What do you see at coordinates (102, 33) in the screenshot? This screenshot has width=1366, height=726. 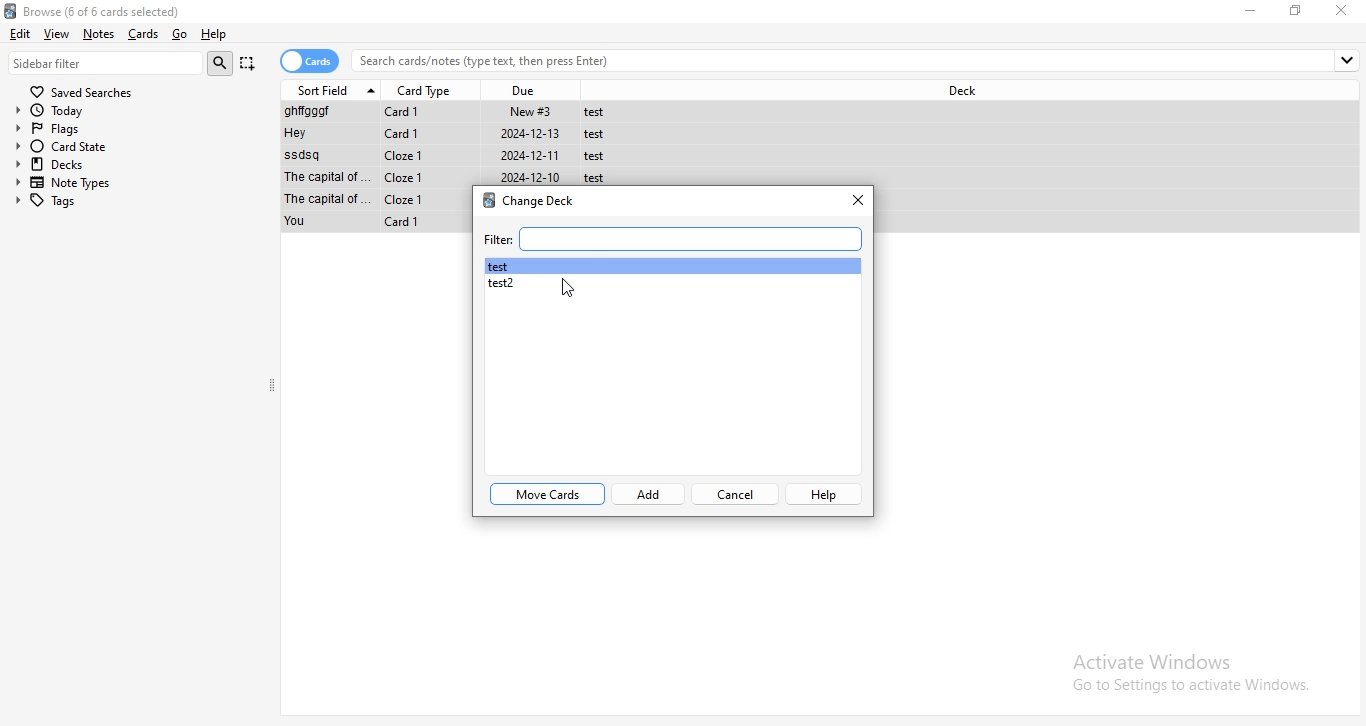 I see `notes` at bounding box center [102, 33].